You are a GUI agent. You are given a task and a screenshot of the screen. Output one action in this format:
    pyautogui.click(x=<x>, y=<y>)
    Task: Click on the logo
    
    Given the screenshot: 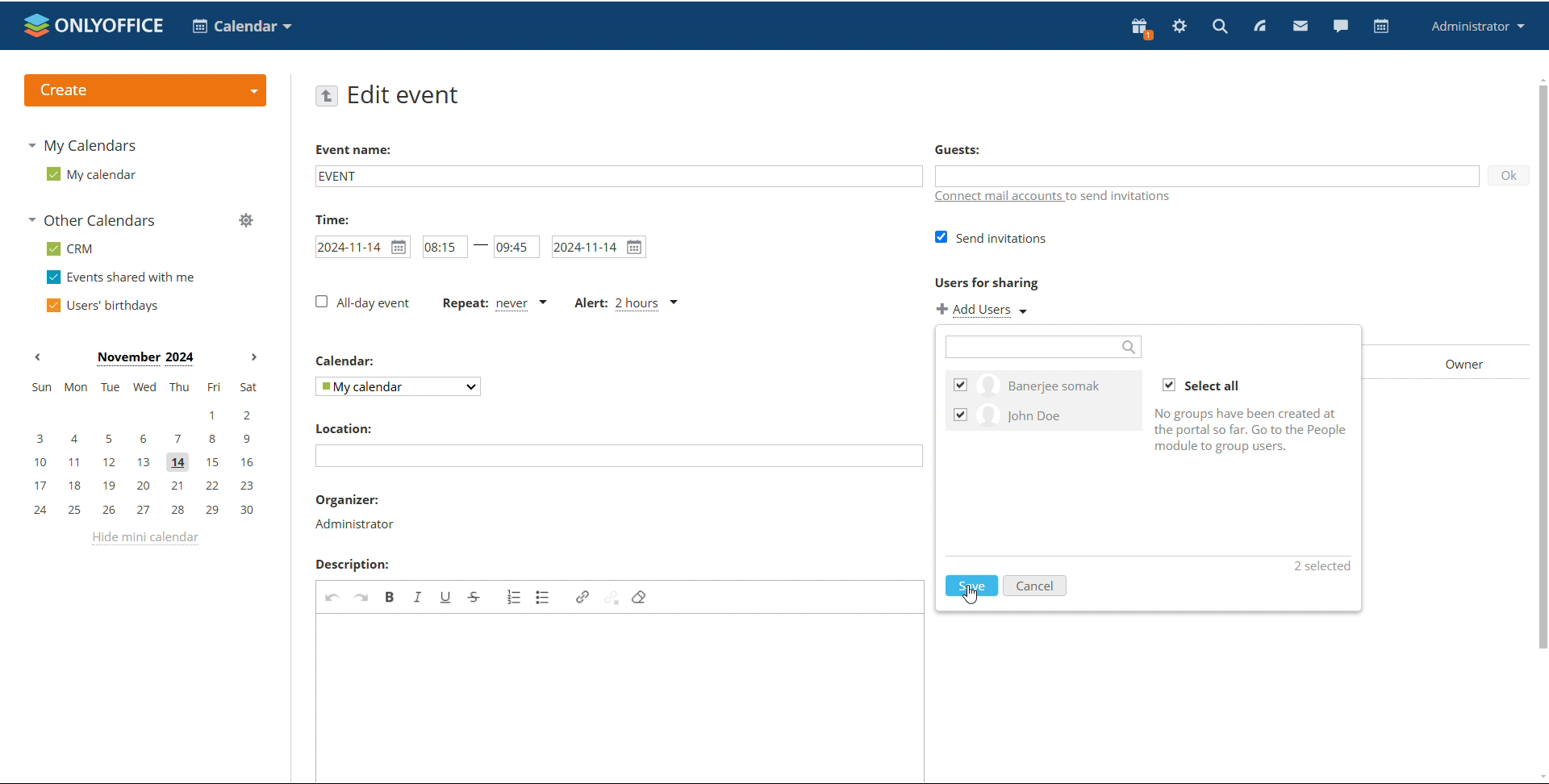 What is the action you would take?
    pyautogui.click(x=94, y=25)
    